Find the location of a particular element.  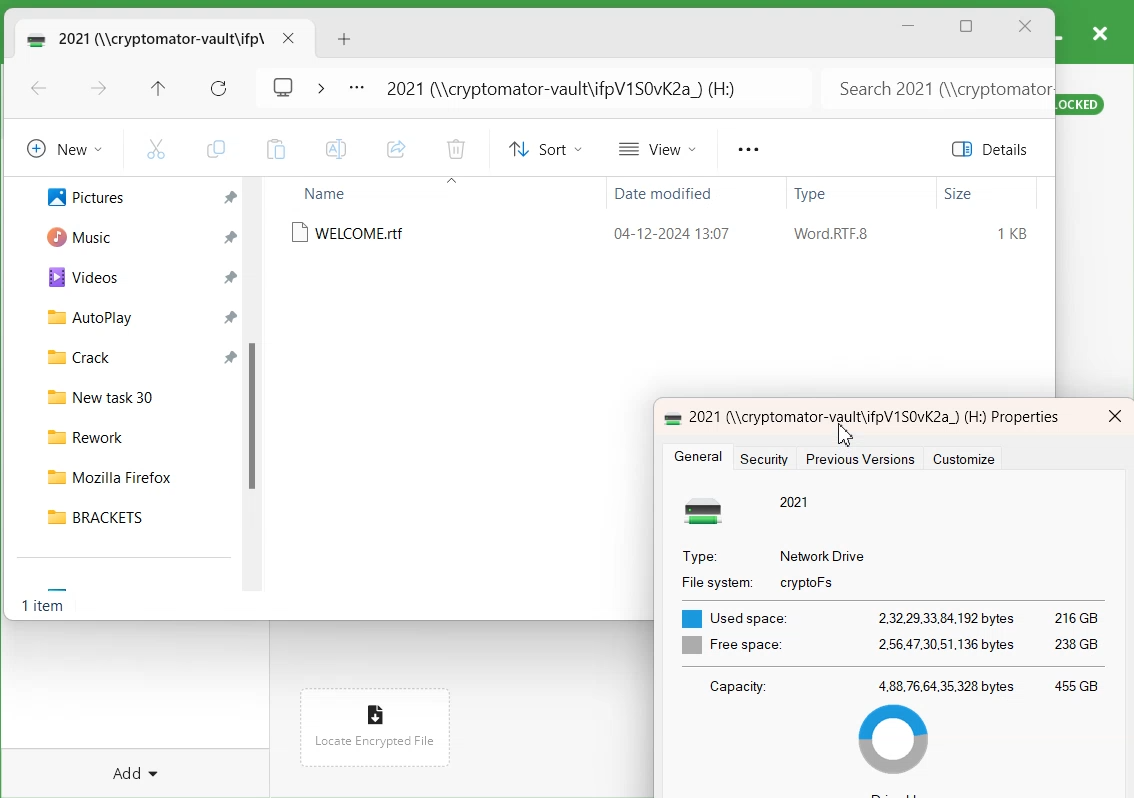

Name is located at coordinates (328, 193).